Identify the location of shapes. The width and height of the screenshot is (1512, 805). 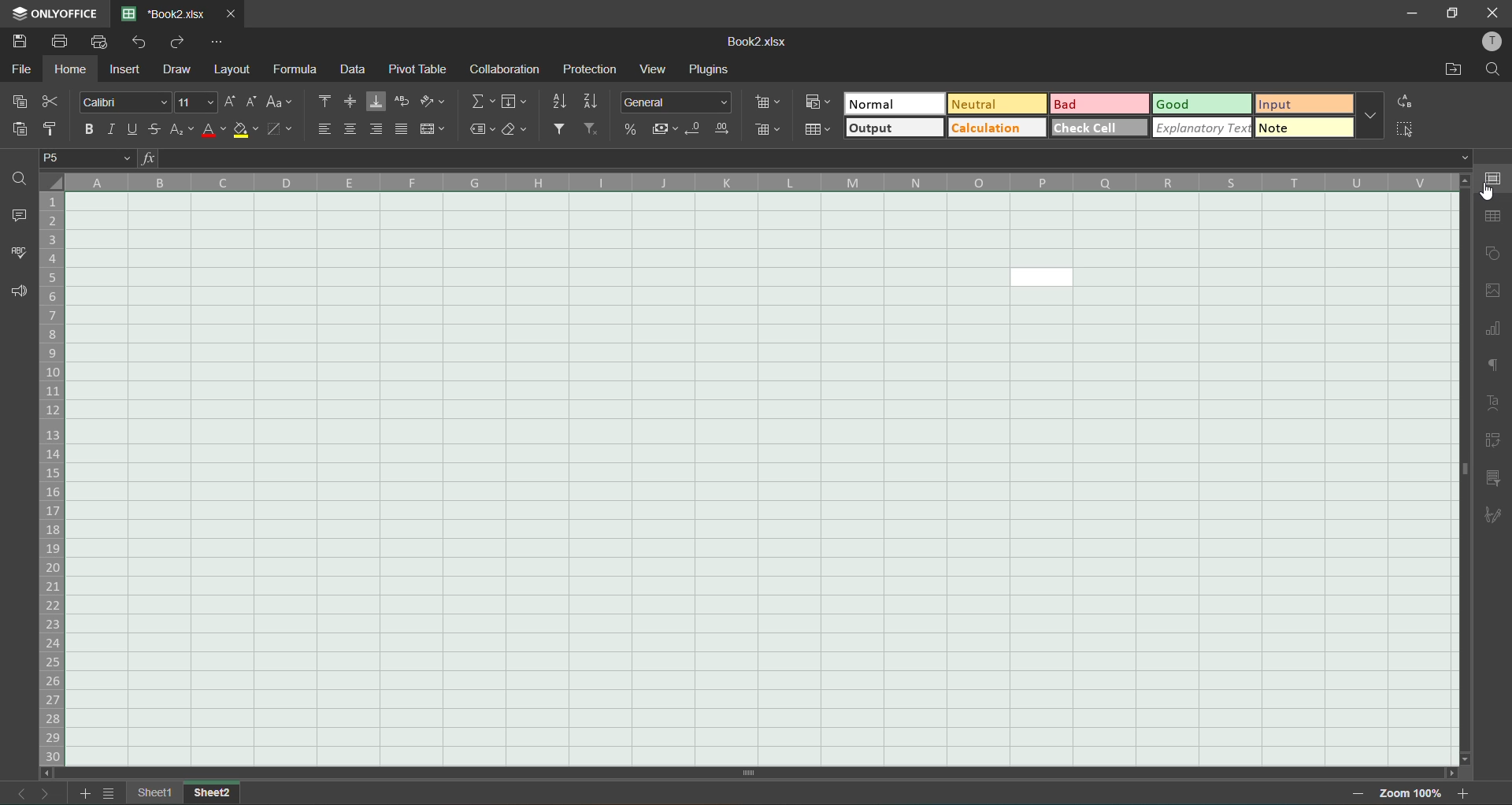
(1493, 253).